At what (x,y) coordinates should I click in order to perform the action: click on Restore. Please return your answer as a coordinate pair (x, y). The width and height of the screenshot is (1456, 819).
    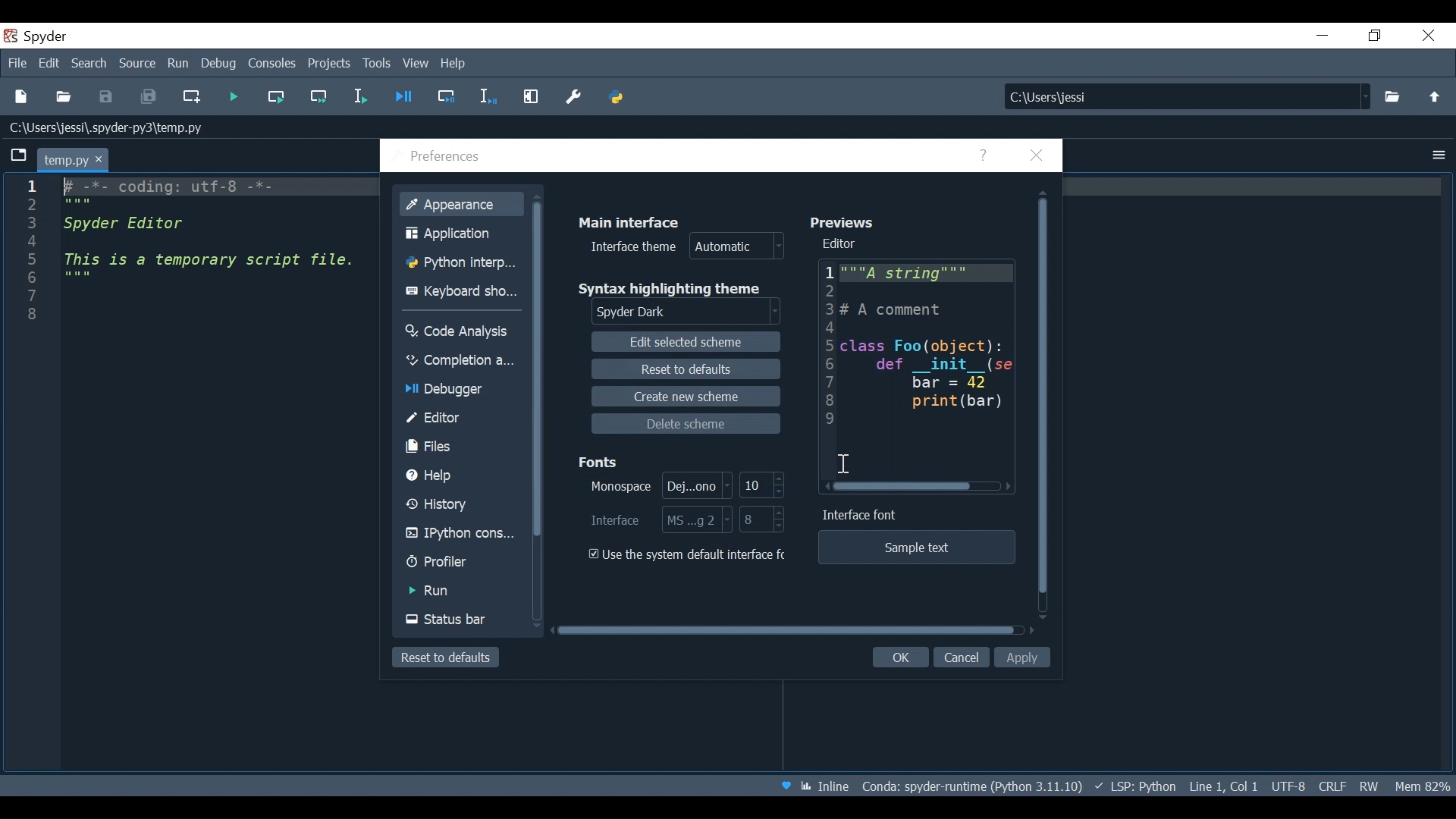
    Looking at the image, I should click on (1376, 35).